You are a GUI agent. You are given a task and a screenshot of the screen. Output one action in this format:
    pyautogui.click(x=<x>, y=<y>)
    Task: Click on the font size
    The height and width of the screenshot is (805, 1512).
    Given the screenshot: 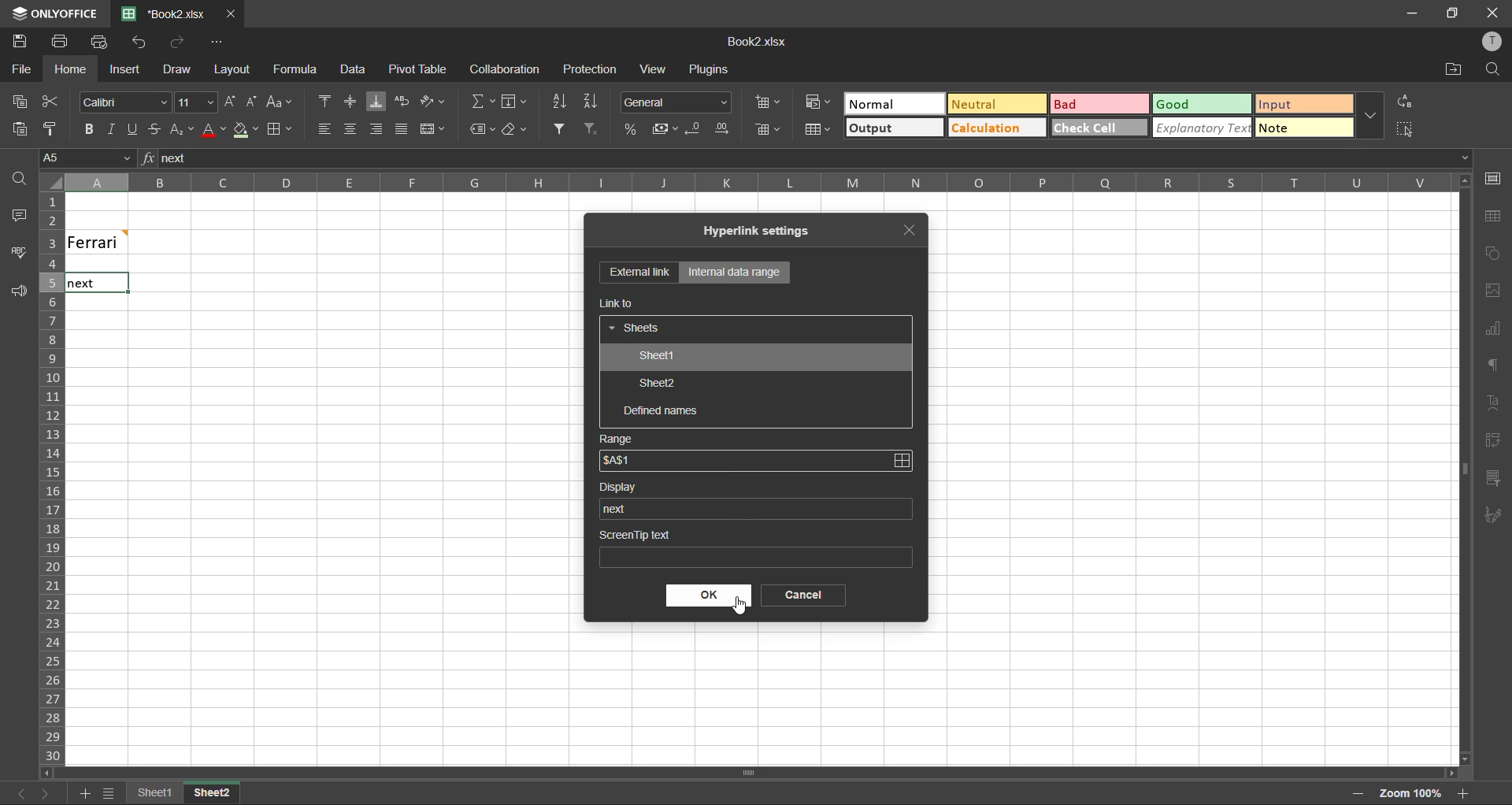 What is the action you would take?
    pyautogui.click(x=198, y=101)
    